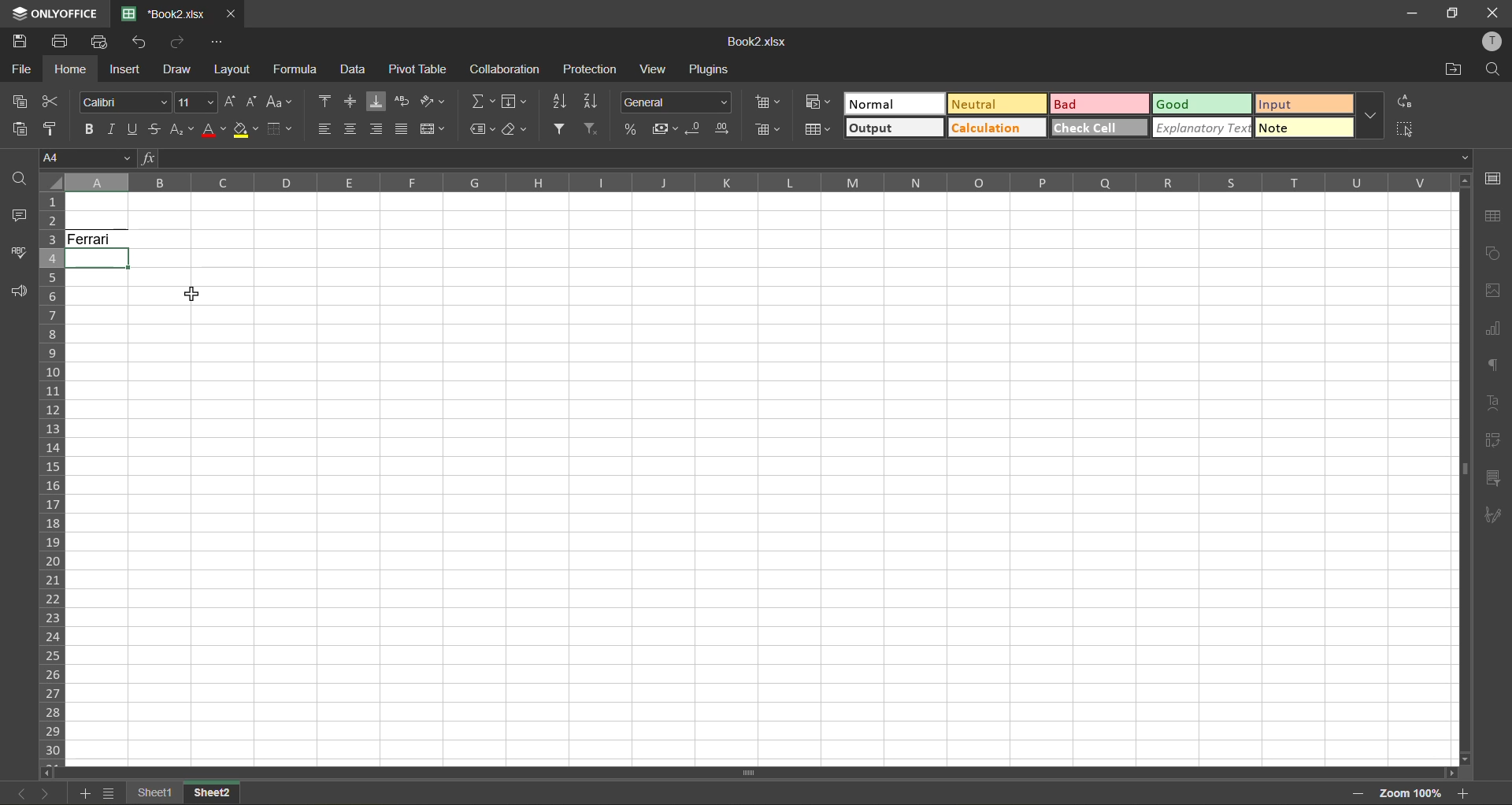 The image size is (1512, 805). I want to click on summation, so click(480, 102).